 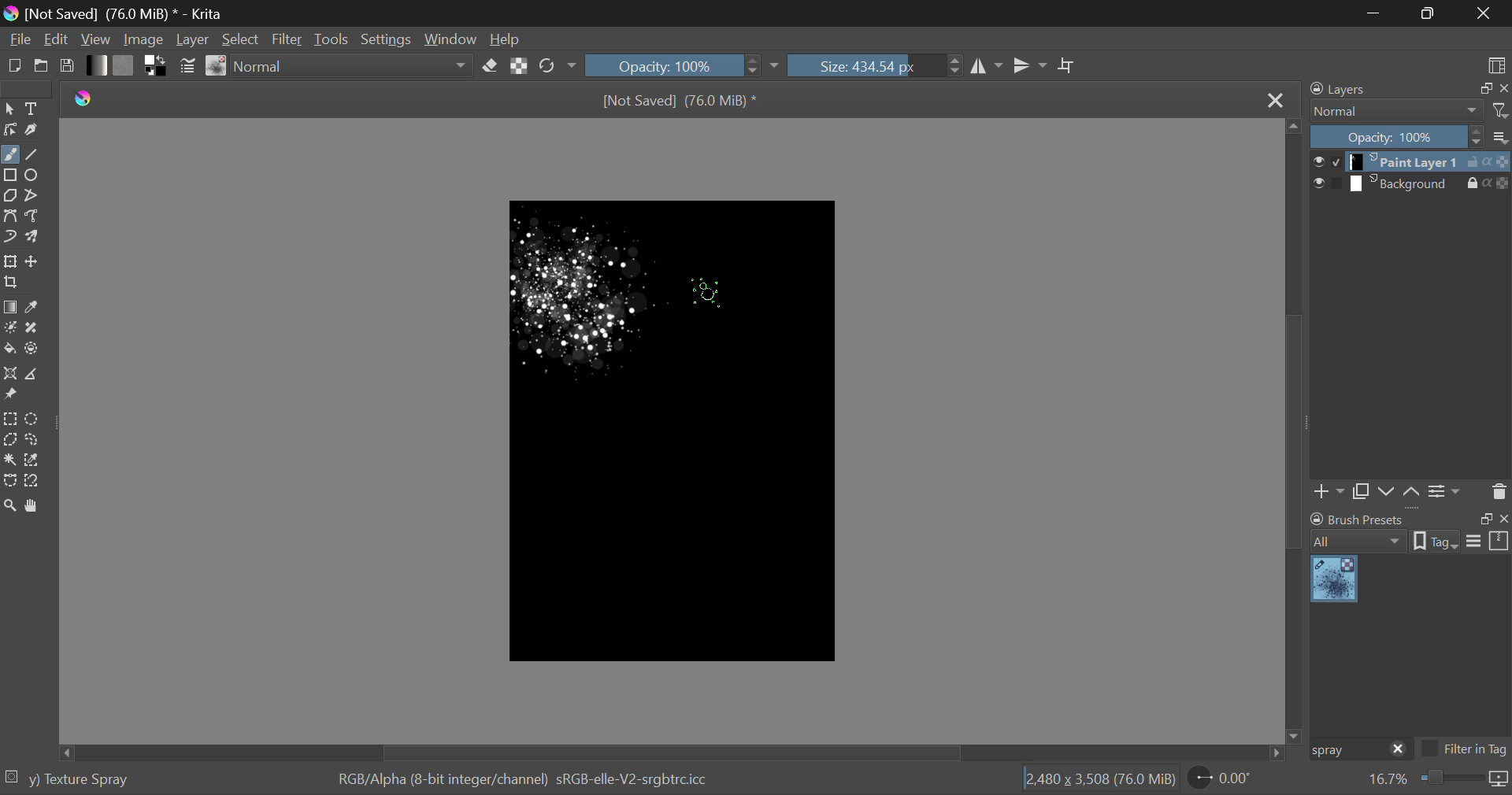 What do you see at coordinates (33, 439) in the screenshot?
I see `Freehand Selection` at bounding box center [33, 439].